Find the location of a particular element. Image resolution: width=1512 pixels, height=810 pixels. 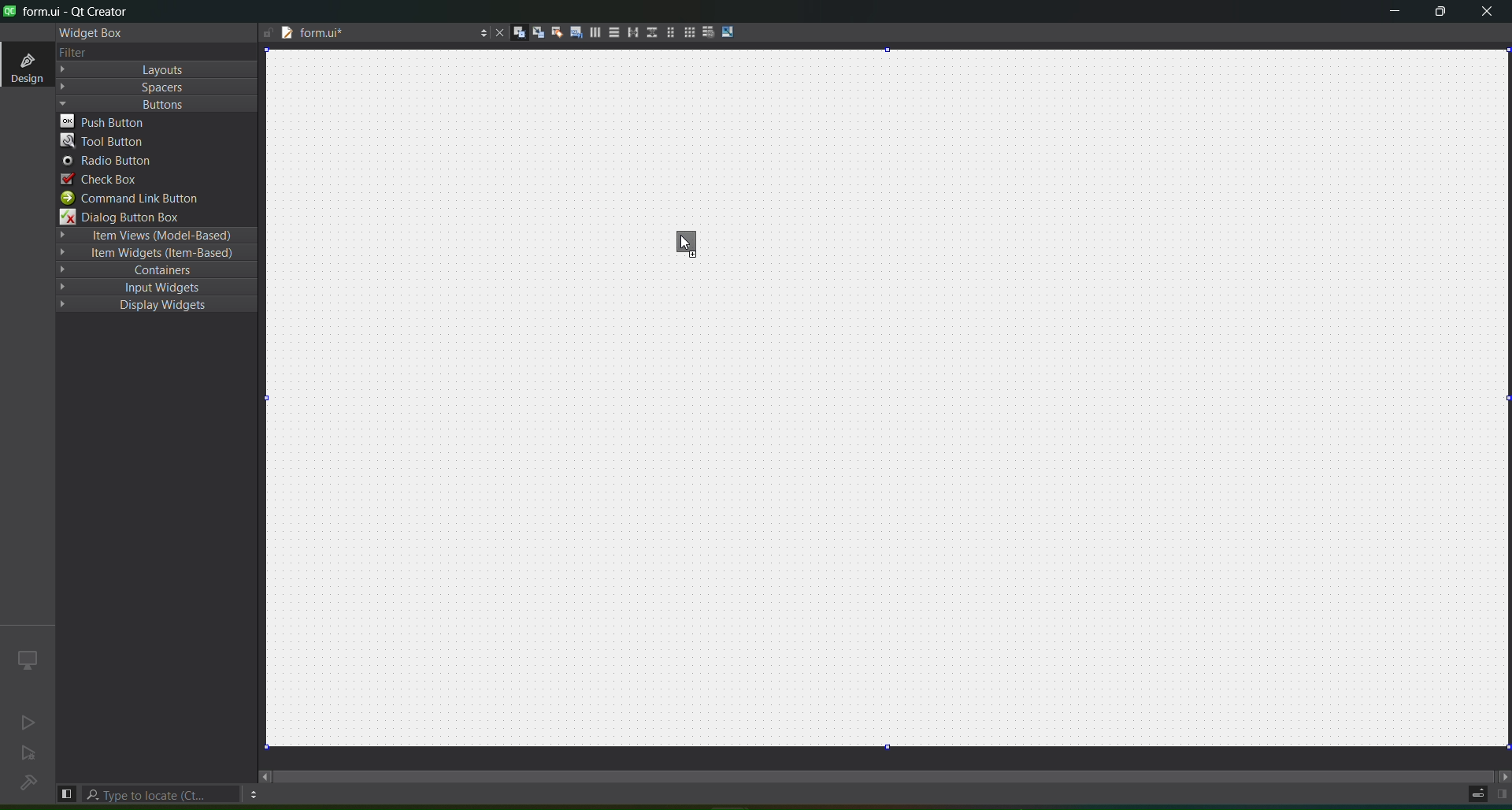

text is located at coordinates (78, 51).